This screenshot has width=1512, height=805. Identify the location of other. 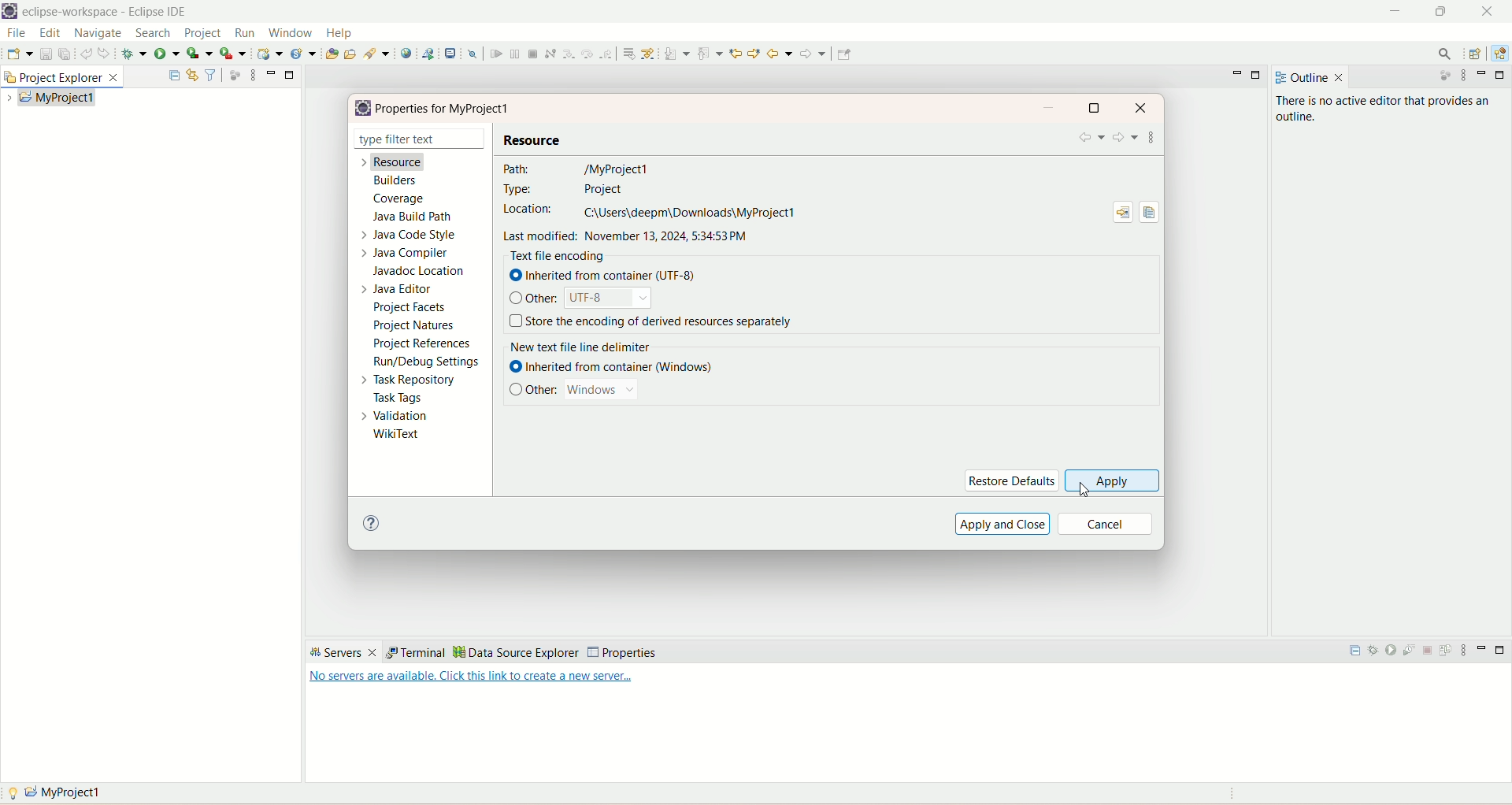
(543, 299).